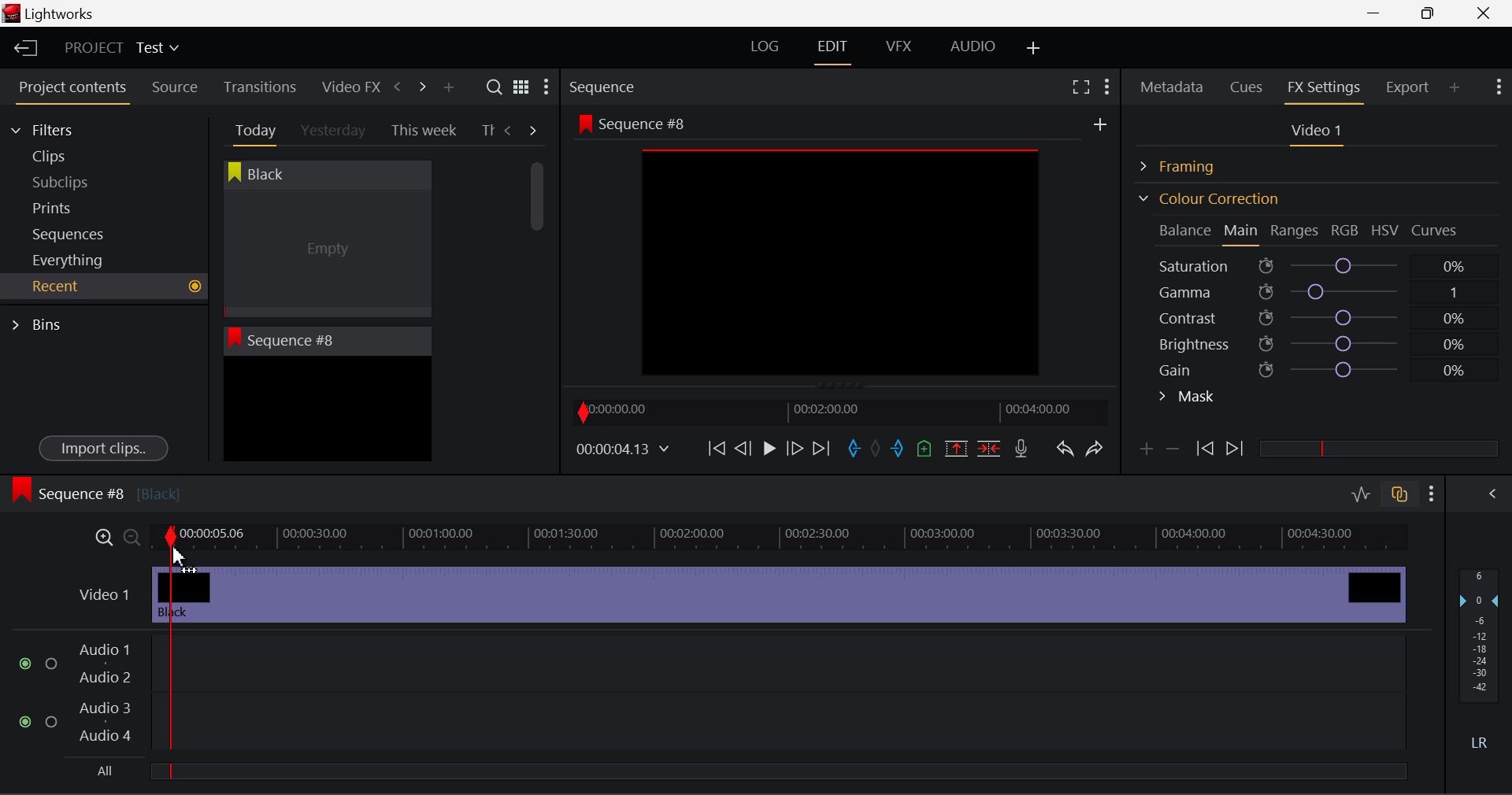 Image resolution: width=1512 pixels, height=795 pixels. What do you see at coordinates (335, 131) in the screenshot?
I see `Yesterday Tab` at bounding box center [335, 131].